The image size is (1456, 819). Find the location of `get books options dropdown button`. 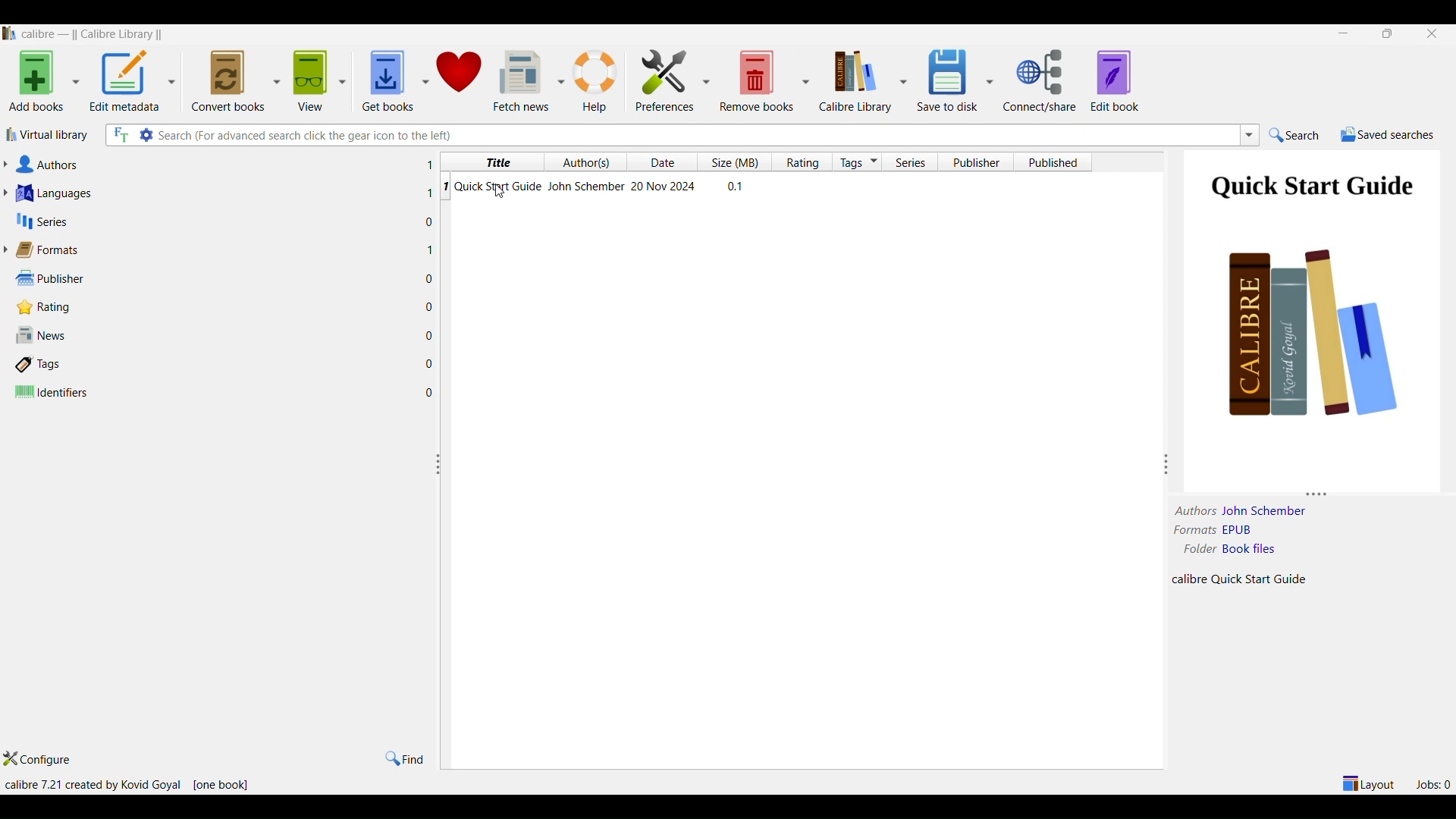

get books options dropdown button is located at coordinates (425, 80).